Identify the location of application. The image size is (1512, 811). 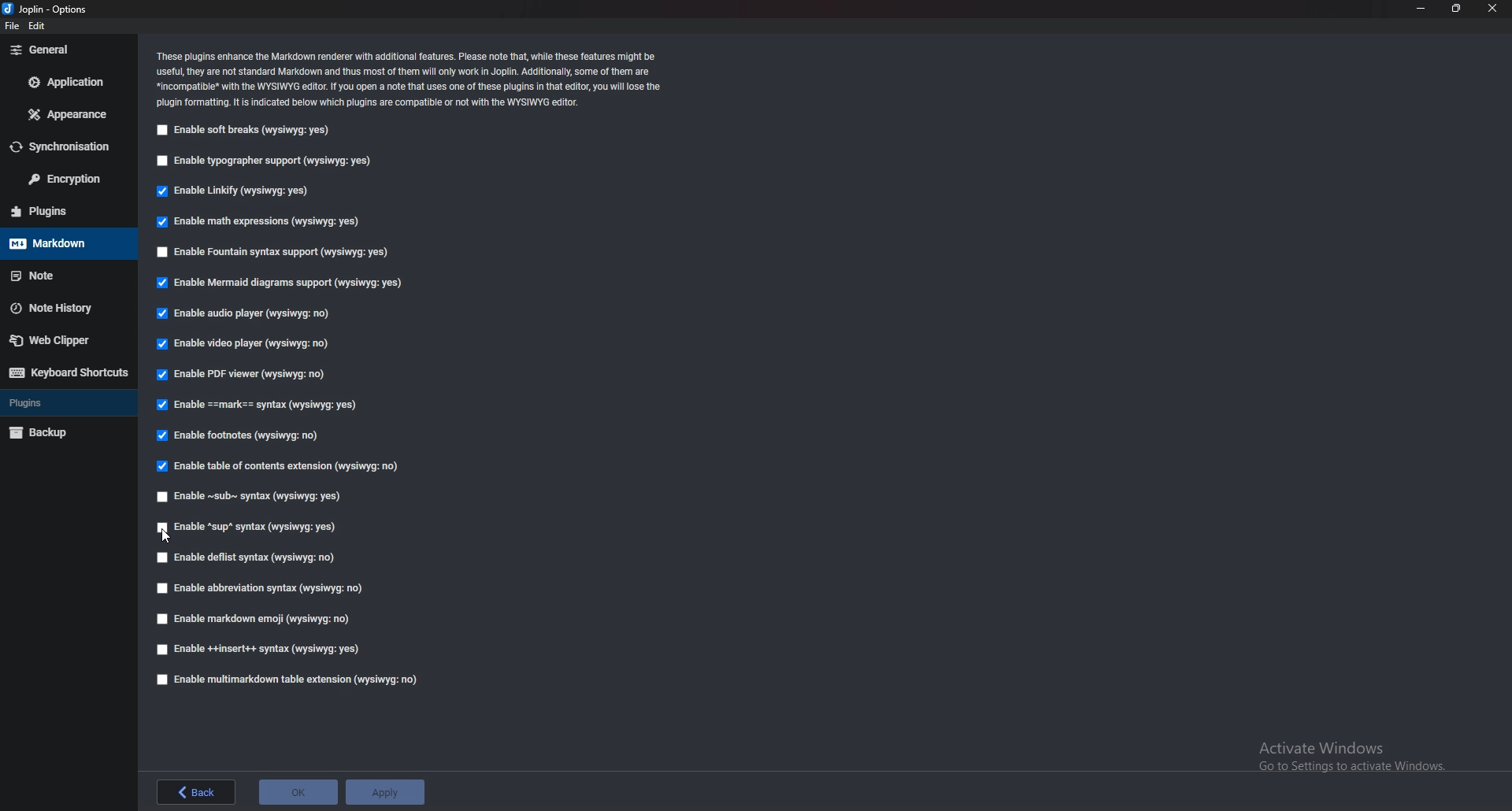
(65, 80).